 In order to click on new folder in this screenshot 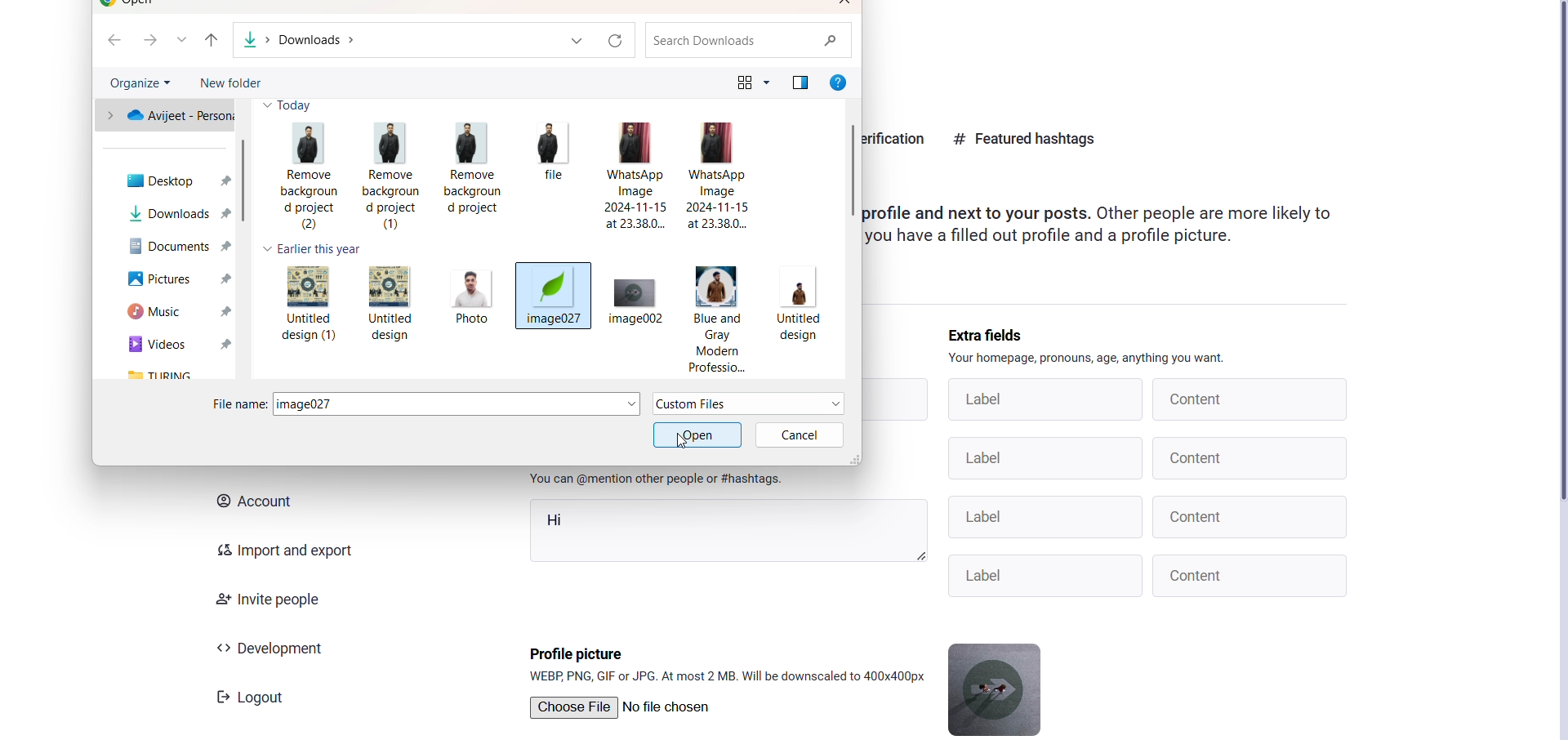, I will do `click(237, 84)`.